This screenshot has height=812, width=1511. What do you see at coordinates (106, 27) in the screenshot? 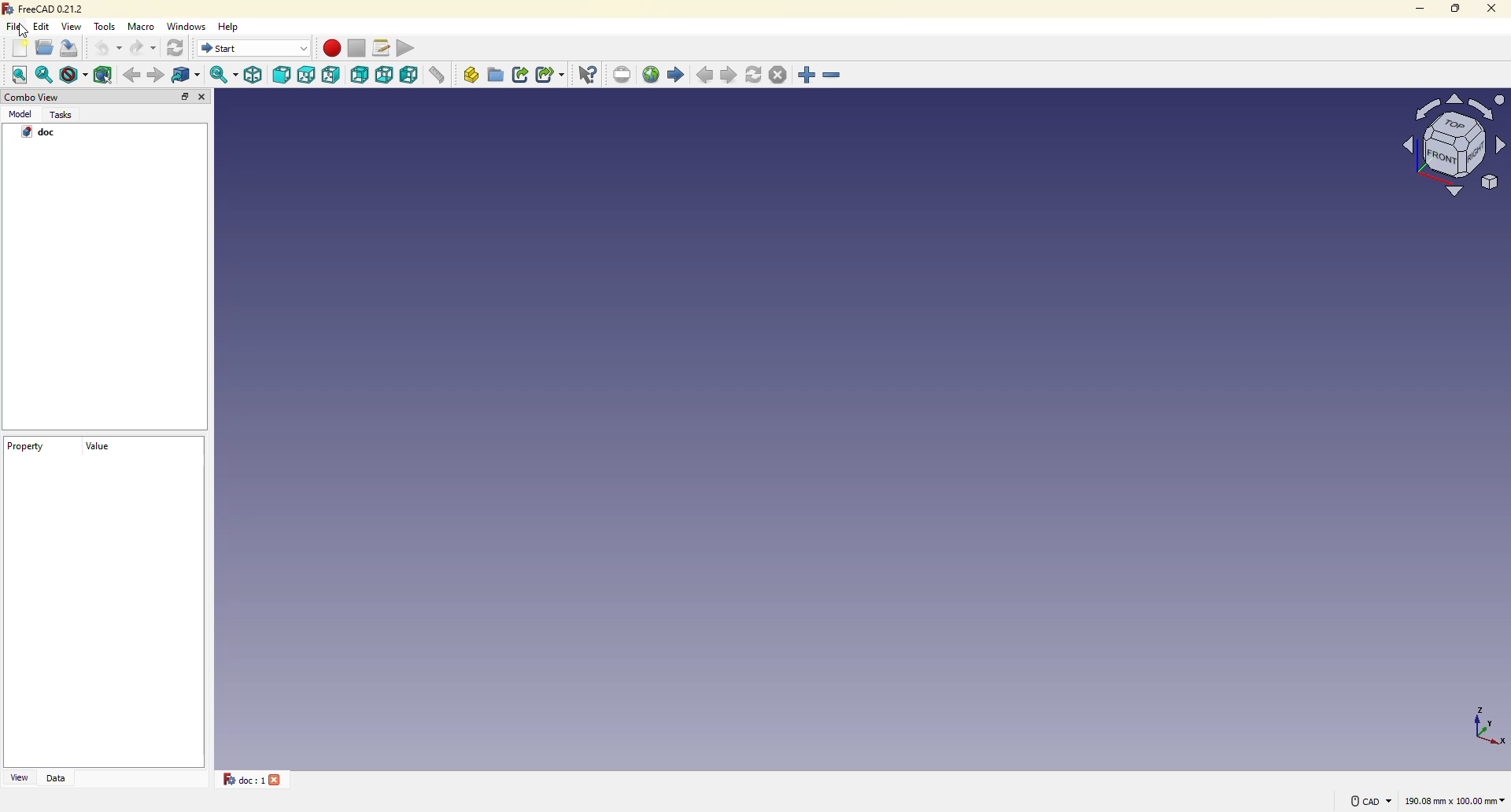
I see `tools` at bounding box center [106, 27].